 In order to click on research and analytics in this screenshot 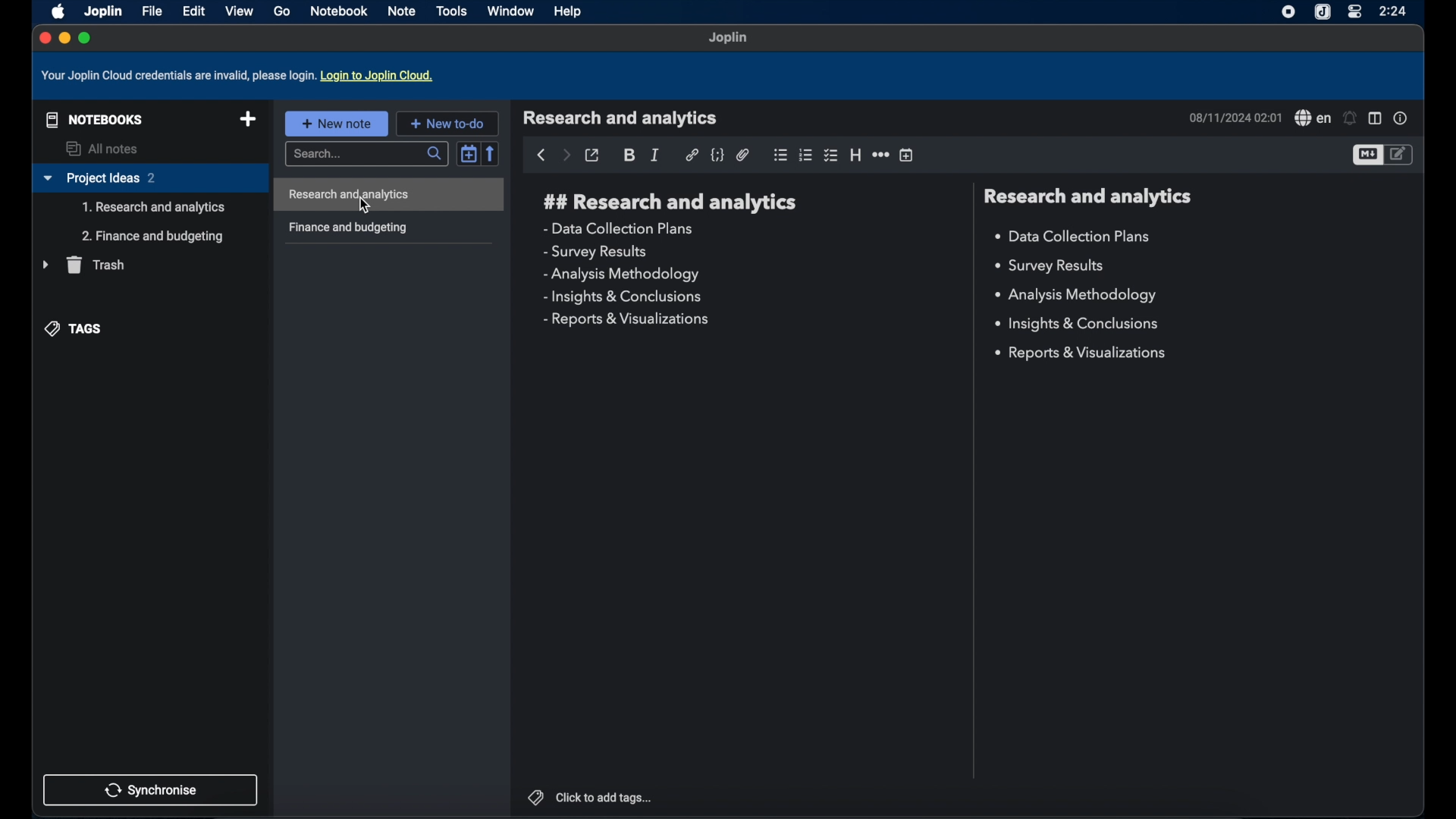, I will do `click(670, 202)`.